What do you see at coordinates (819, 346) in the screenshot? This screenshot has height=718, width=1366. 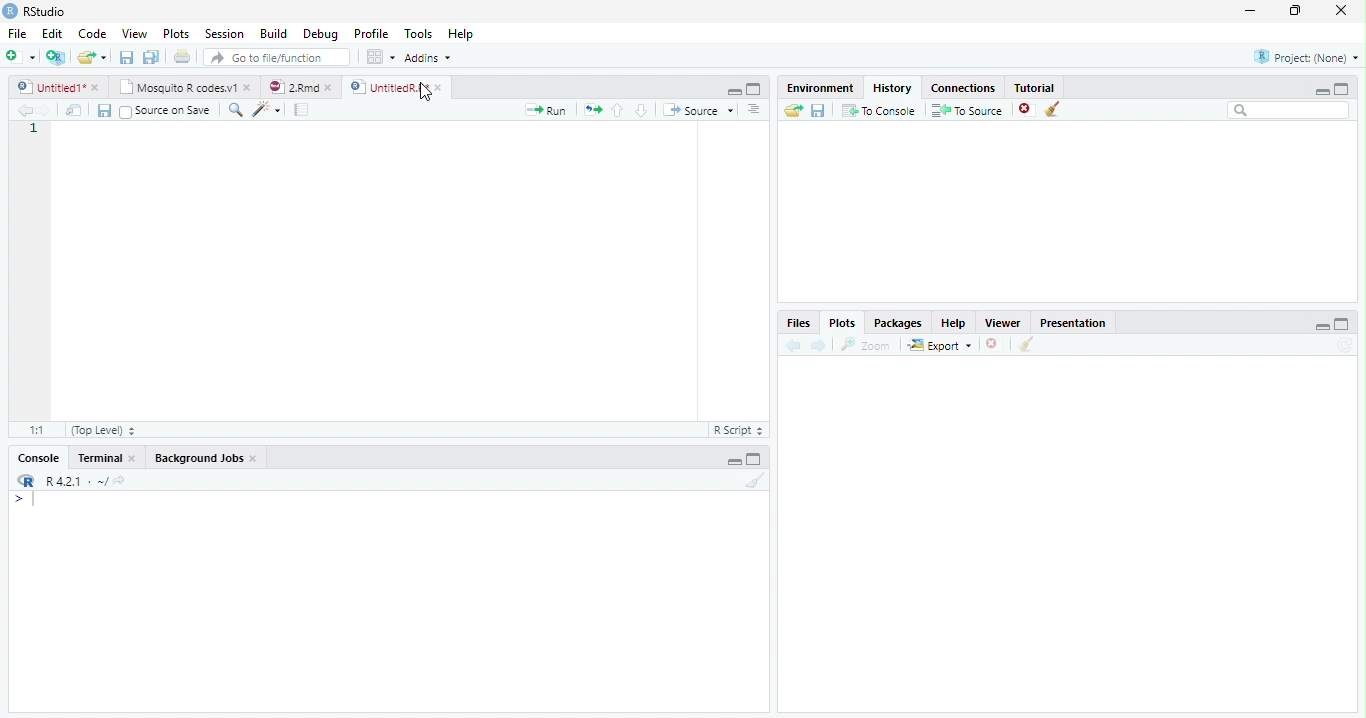 I see `Next` at bounding box center [819, 346].